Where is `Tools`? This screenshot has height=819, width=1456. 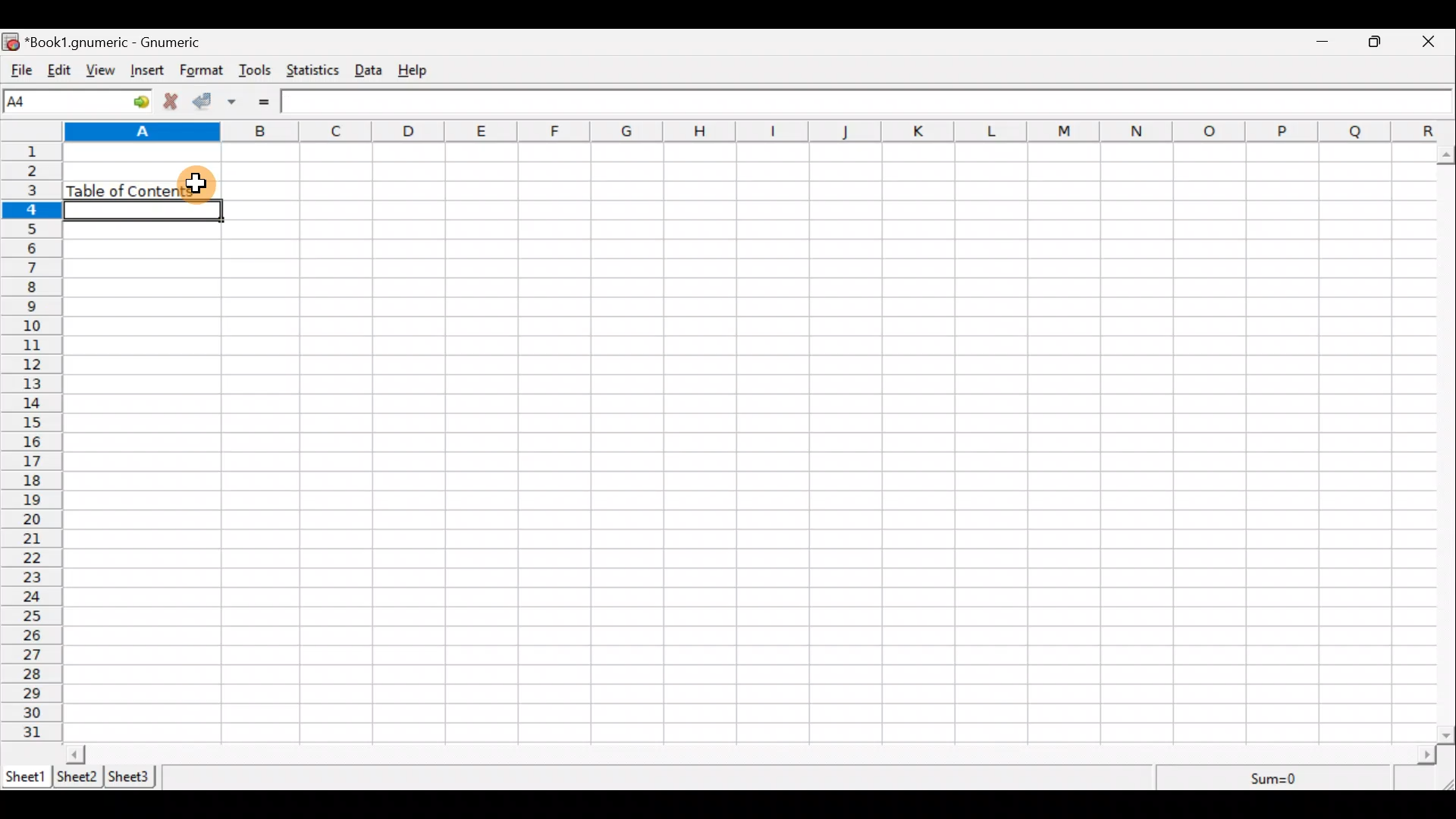 Tools is located at coordinates (256, 71).